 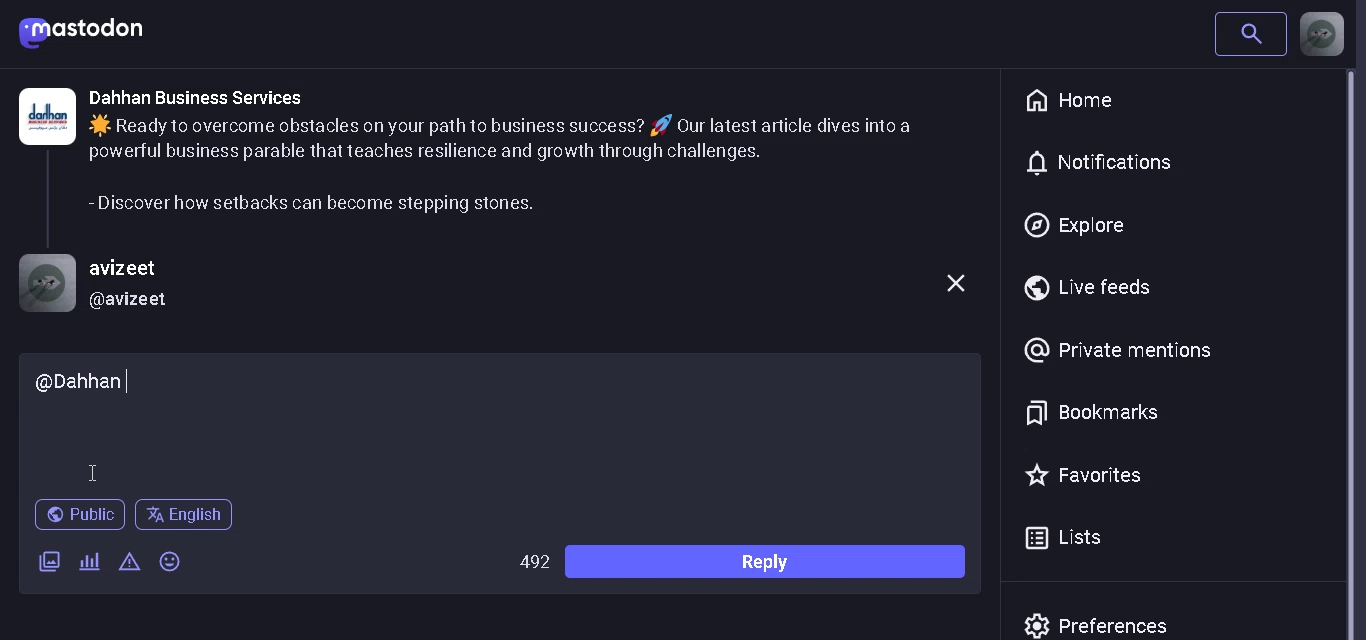 What do you see at coordinates (1322, 34) in the screenshot?
I see `profile picture` at bounding box center [1322, 34].